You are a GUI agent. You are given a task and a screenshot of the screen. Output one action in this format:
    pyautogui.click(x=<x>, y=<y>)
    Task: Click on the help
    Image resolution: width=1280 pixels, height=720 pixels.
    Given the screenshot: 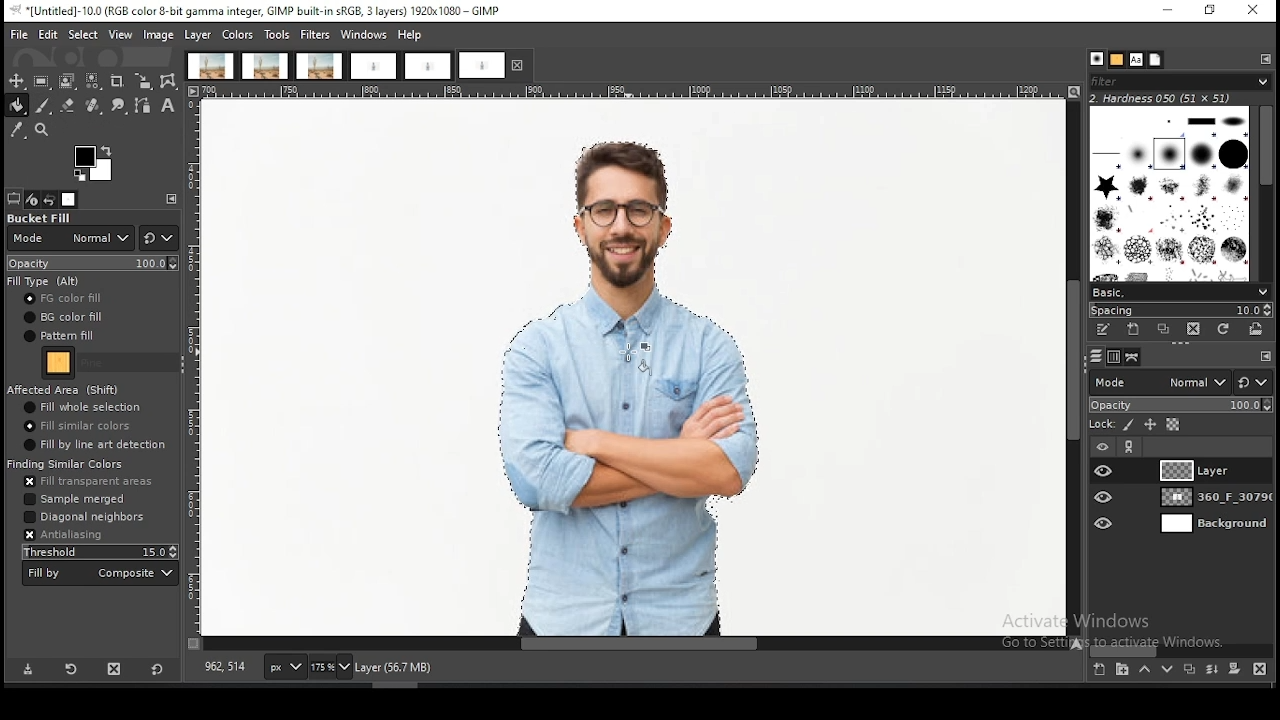 What is the action you would take?
    pyautogui.click(x=412, y=34)
    